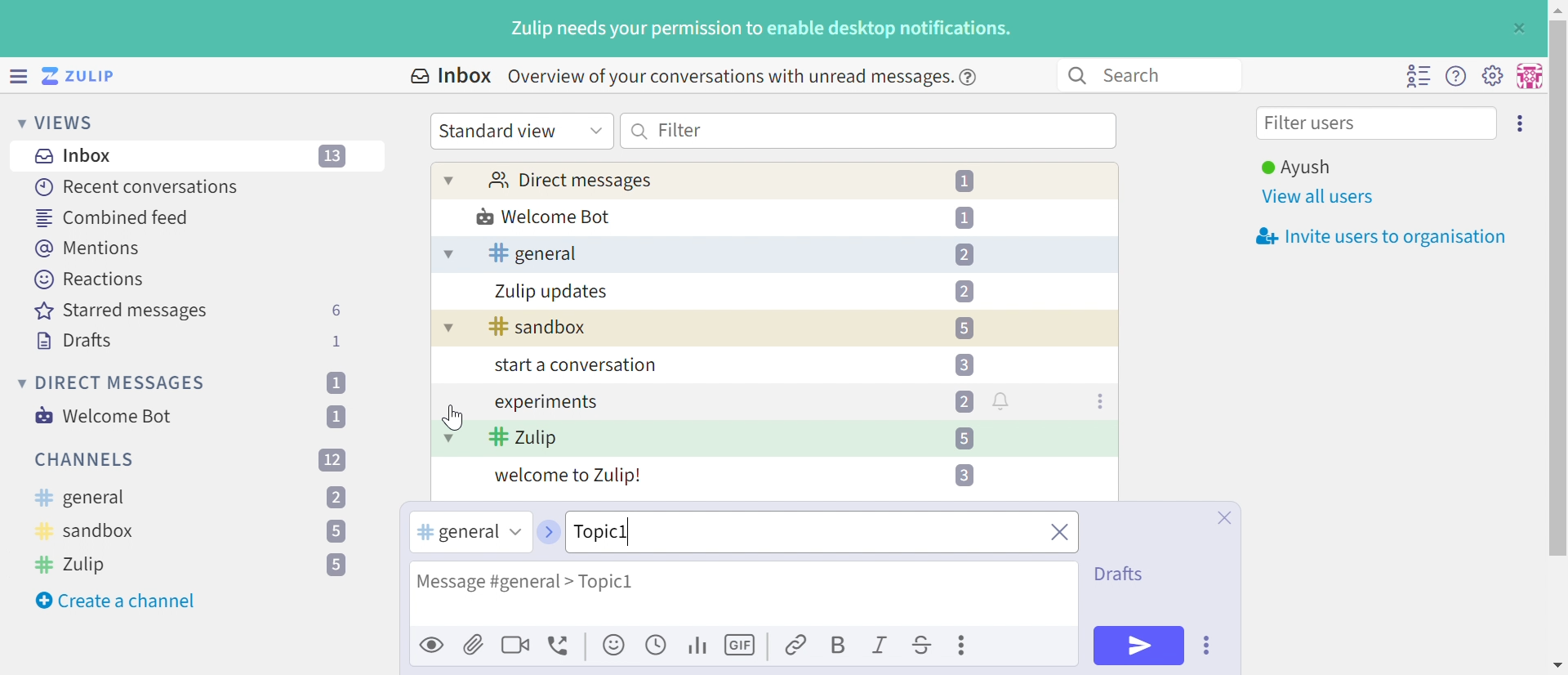 The height and width of the screenshot is (675, 1568). I want to click on Zulip needs your permission to enable desktop notifications., so click(762, 30).